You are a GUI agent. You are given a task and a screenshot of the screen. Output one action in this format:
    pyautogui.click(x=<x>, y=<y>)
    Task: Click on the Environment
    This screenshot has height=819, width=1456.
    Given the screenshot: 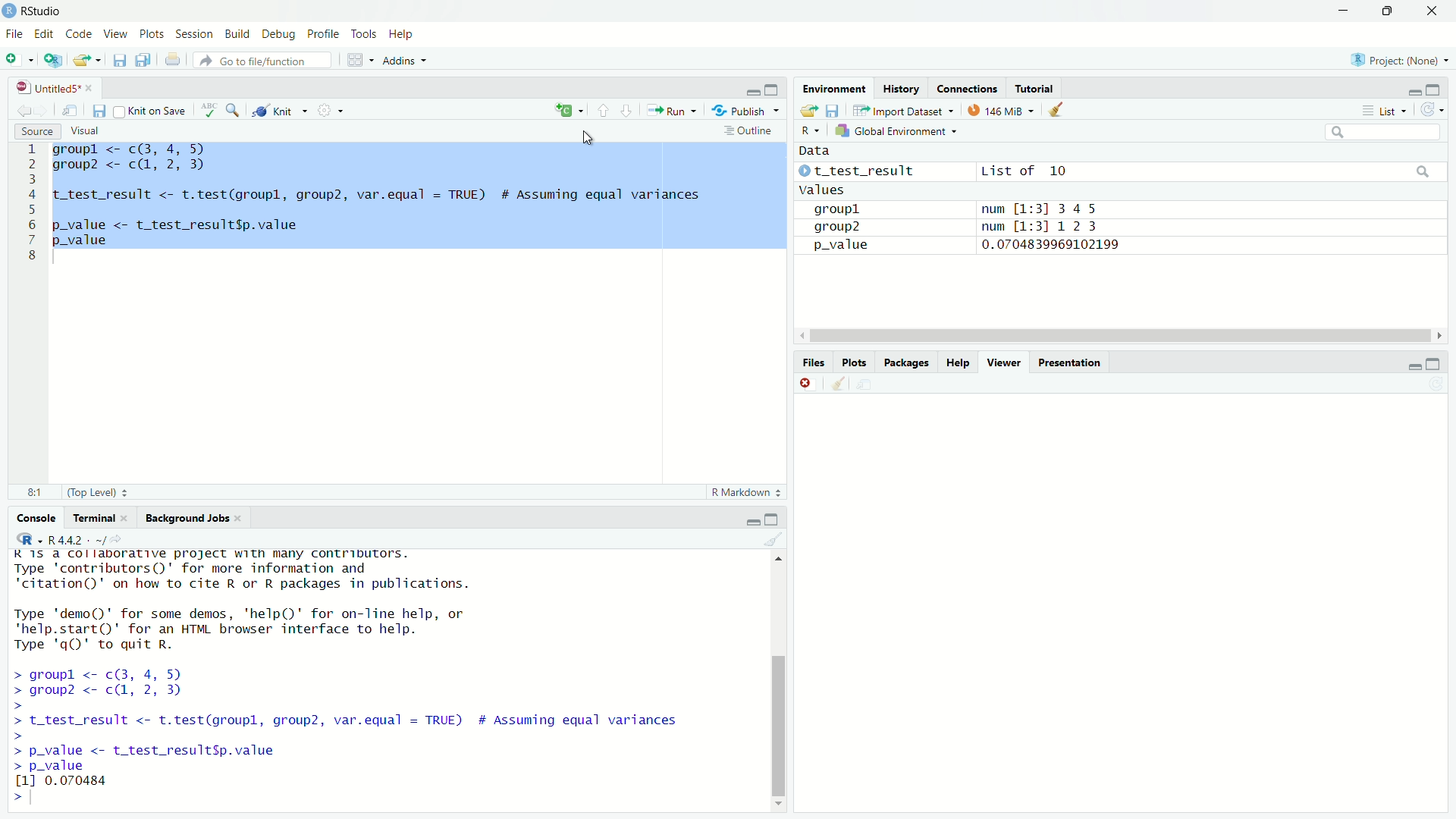 What is the action you would take?
    pyautogui.click(x=831, y=87)
    